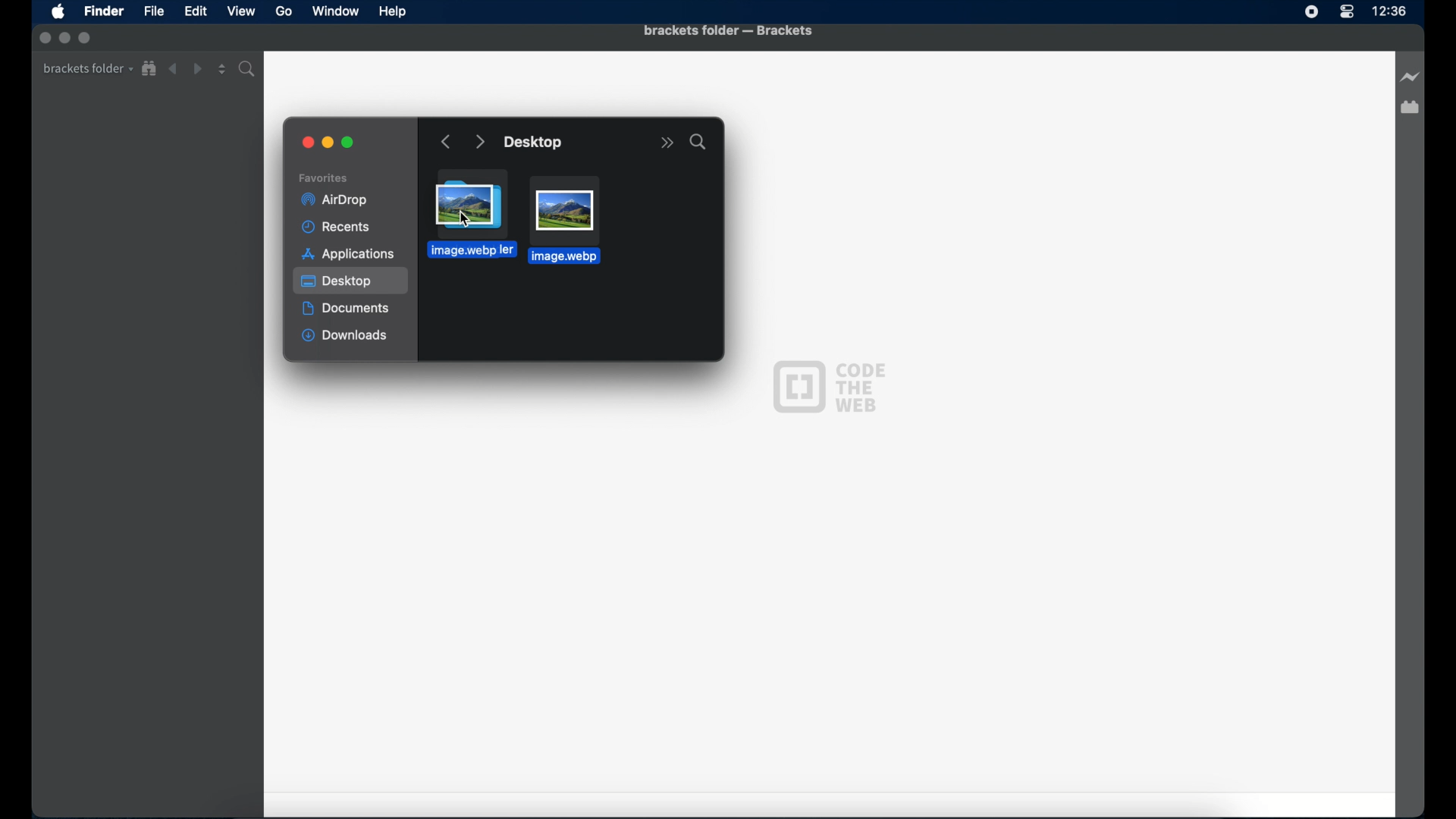  I want to click on apple icon, so click(58, 13).